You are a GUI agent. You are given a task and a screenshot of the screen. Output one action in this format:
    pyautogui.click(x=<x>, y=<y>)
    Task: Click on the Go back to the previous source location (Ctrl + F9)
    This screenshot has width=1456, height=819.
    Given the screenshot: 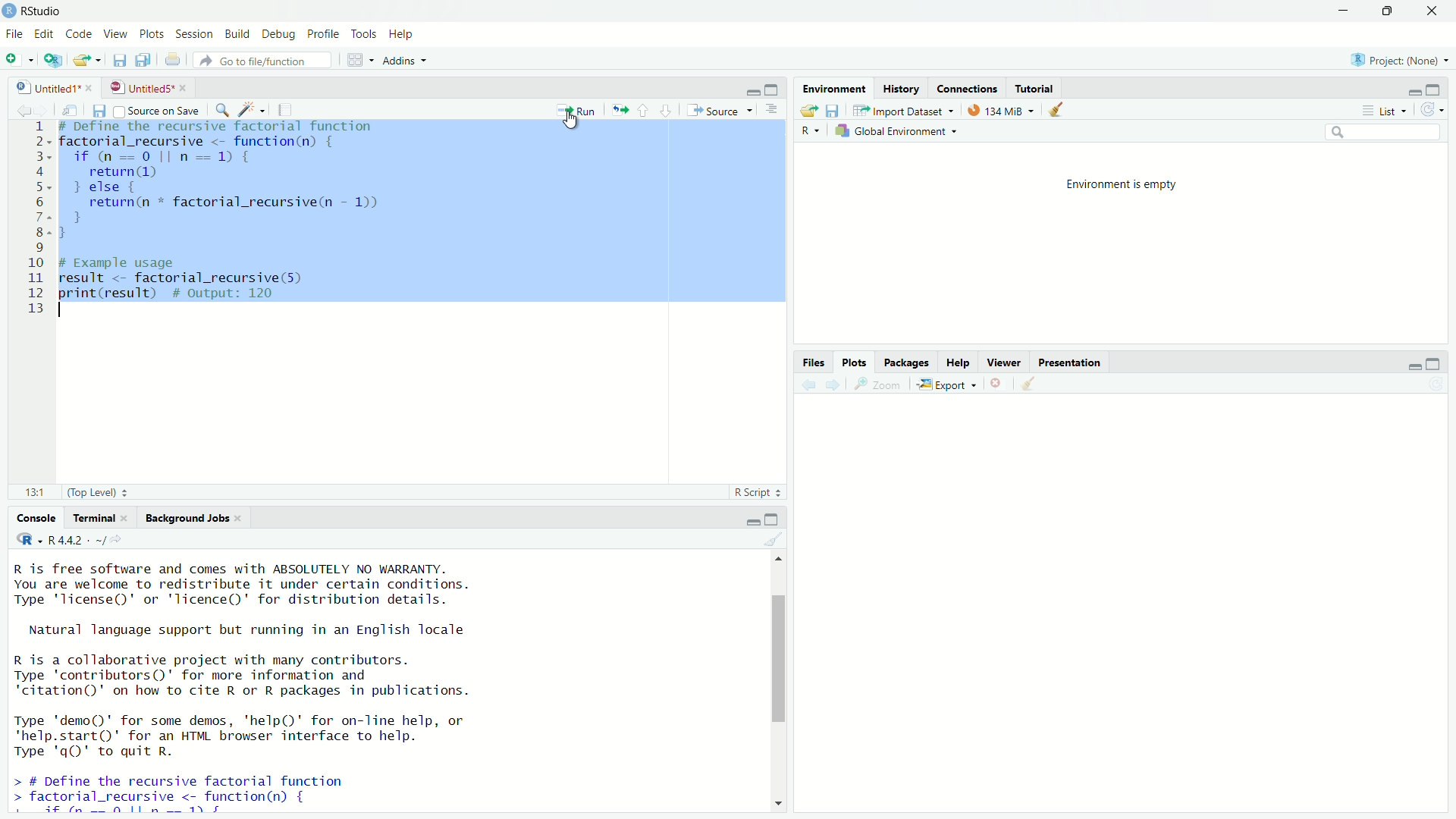 What is the action you would take?
    pyautogui.click(x=22, y=108)
    